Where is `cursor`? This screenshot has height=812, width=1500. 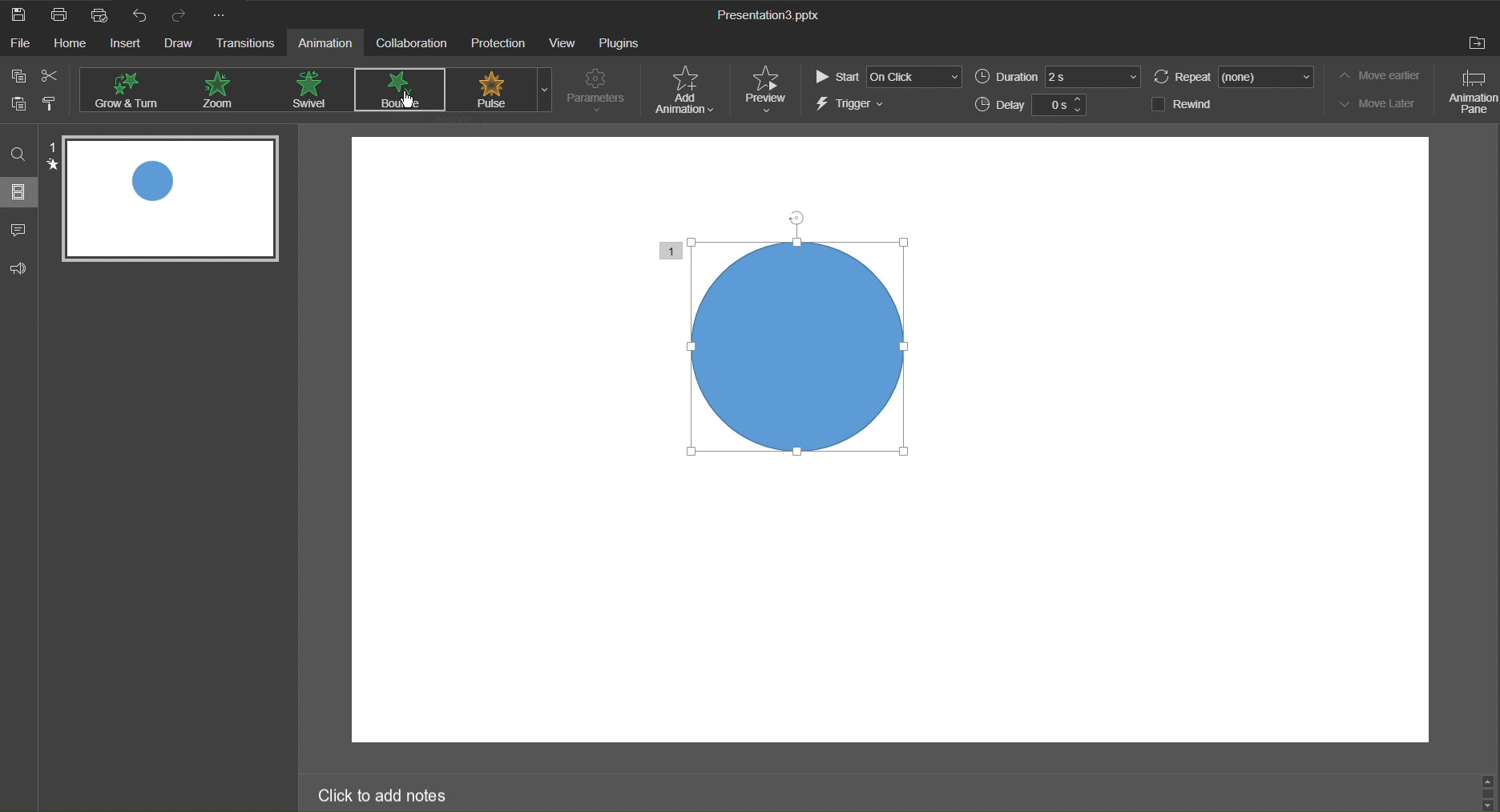 cursor is located at coordinates (411, 98).